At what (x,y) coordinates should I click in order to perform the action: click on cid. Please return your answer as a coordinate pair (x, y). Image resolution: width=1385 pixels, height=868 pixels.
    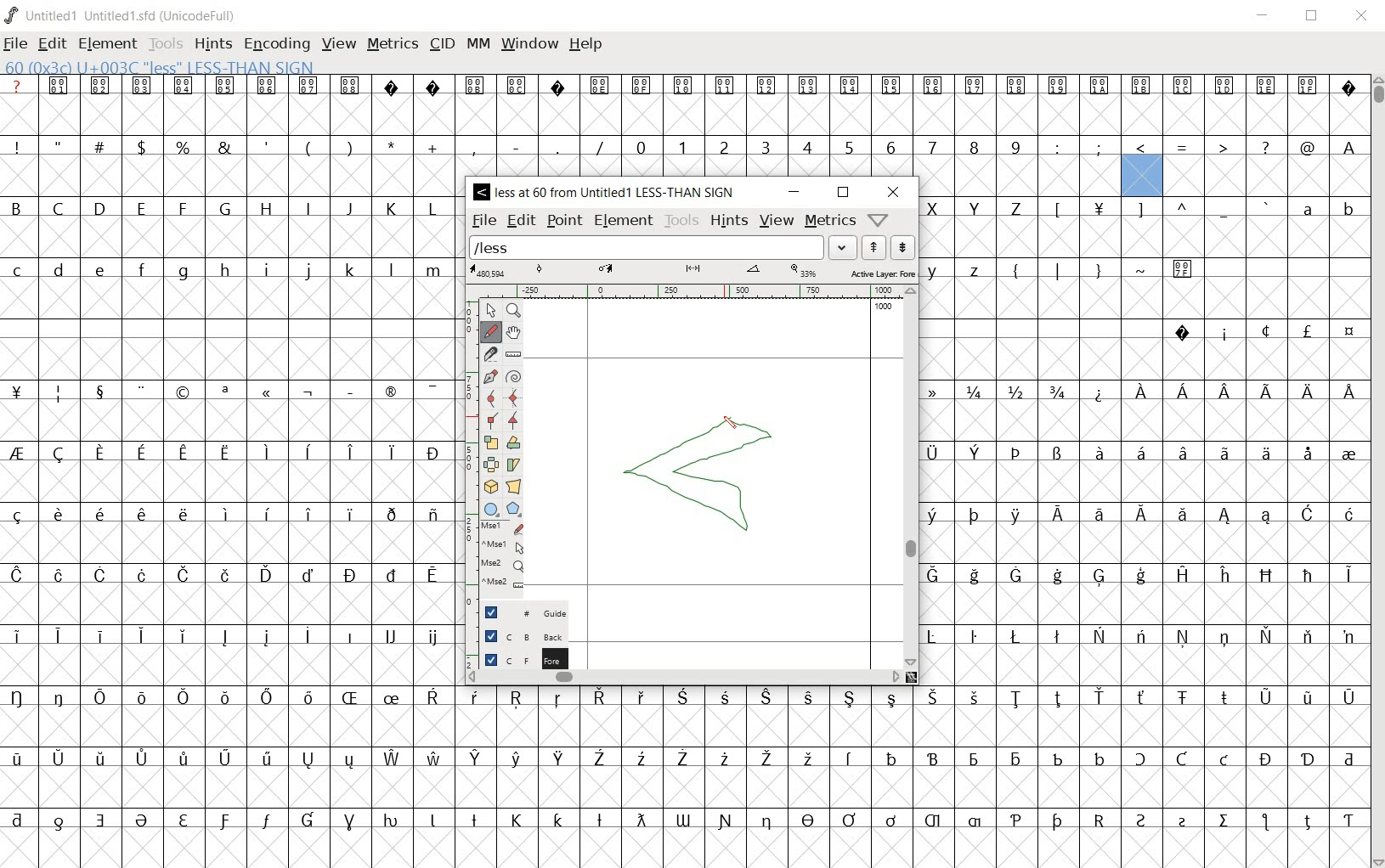
    Looking at the image, I should click on (441, 45).